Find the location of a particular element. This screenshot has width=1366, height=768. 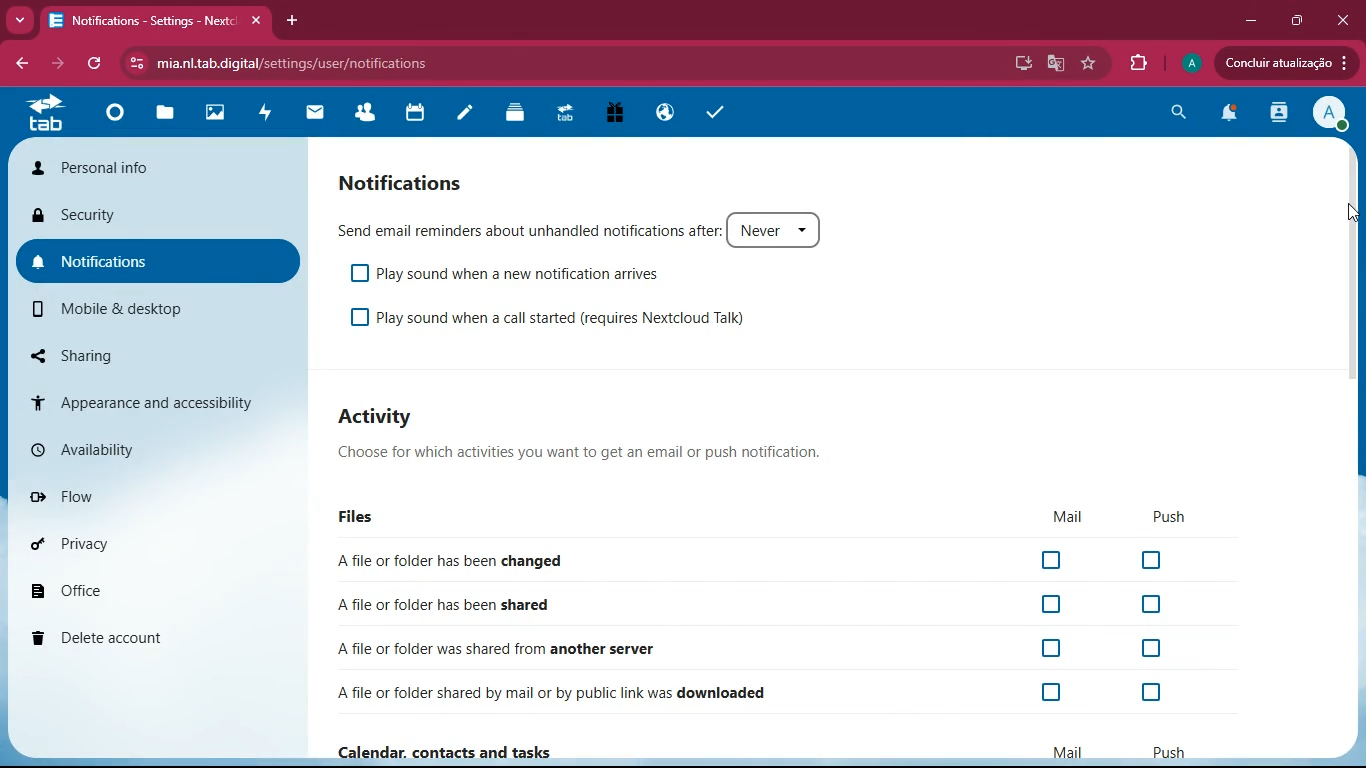

flow is located at coordinates (162, 495).